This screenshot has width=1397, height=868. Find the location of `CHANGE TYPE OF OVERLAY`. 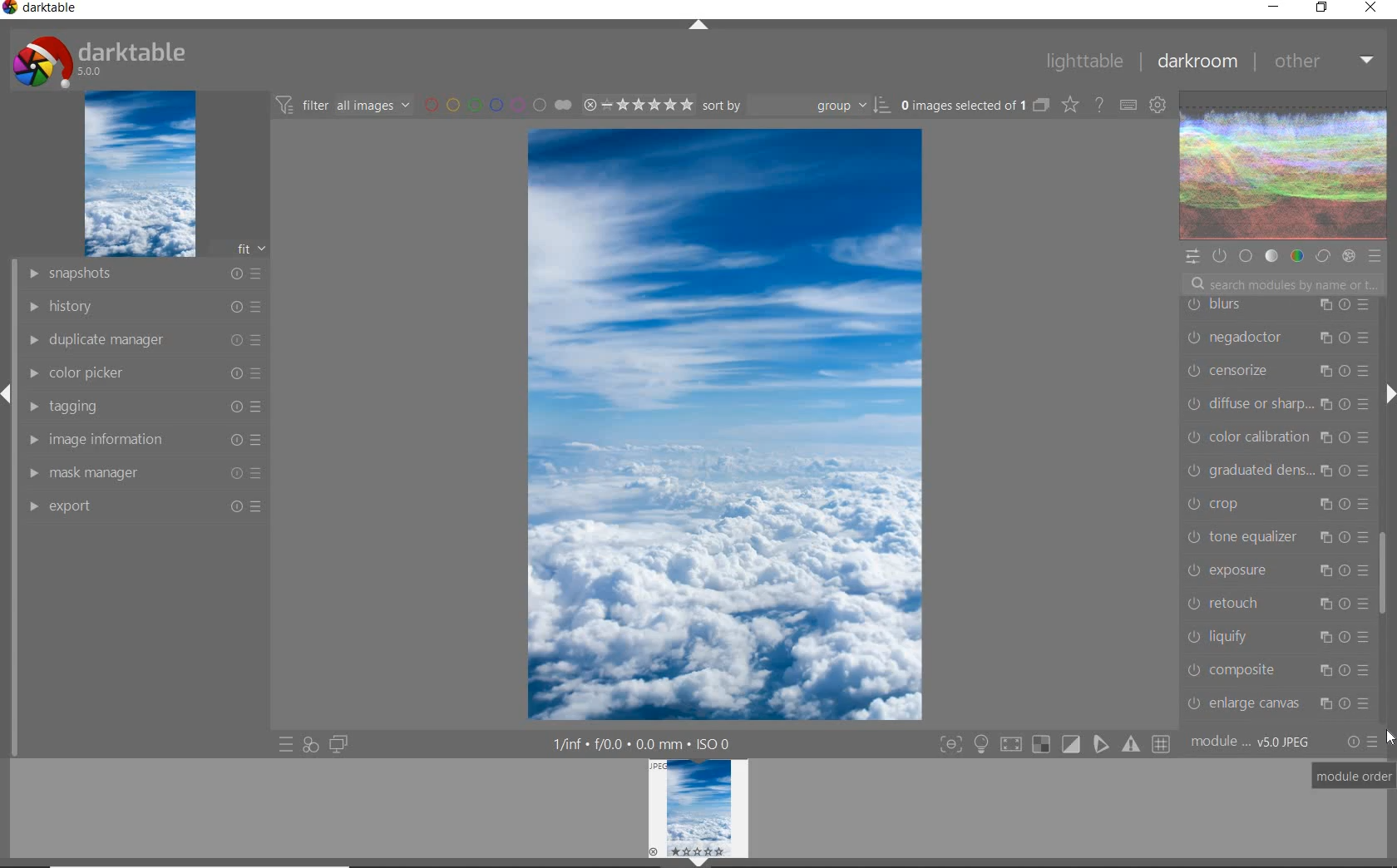

CHANGE TYPE OF OVERLAY is located at coordinates (1069, 106).